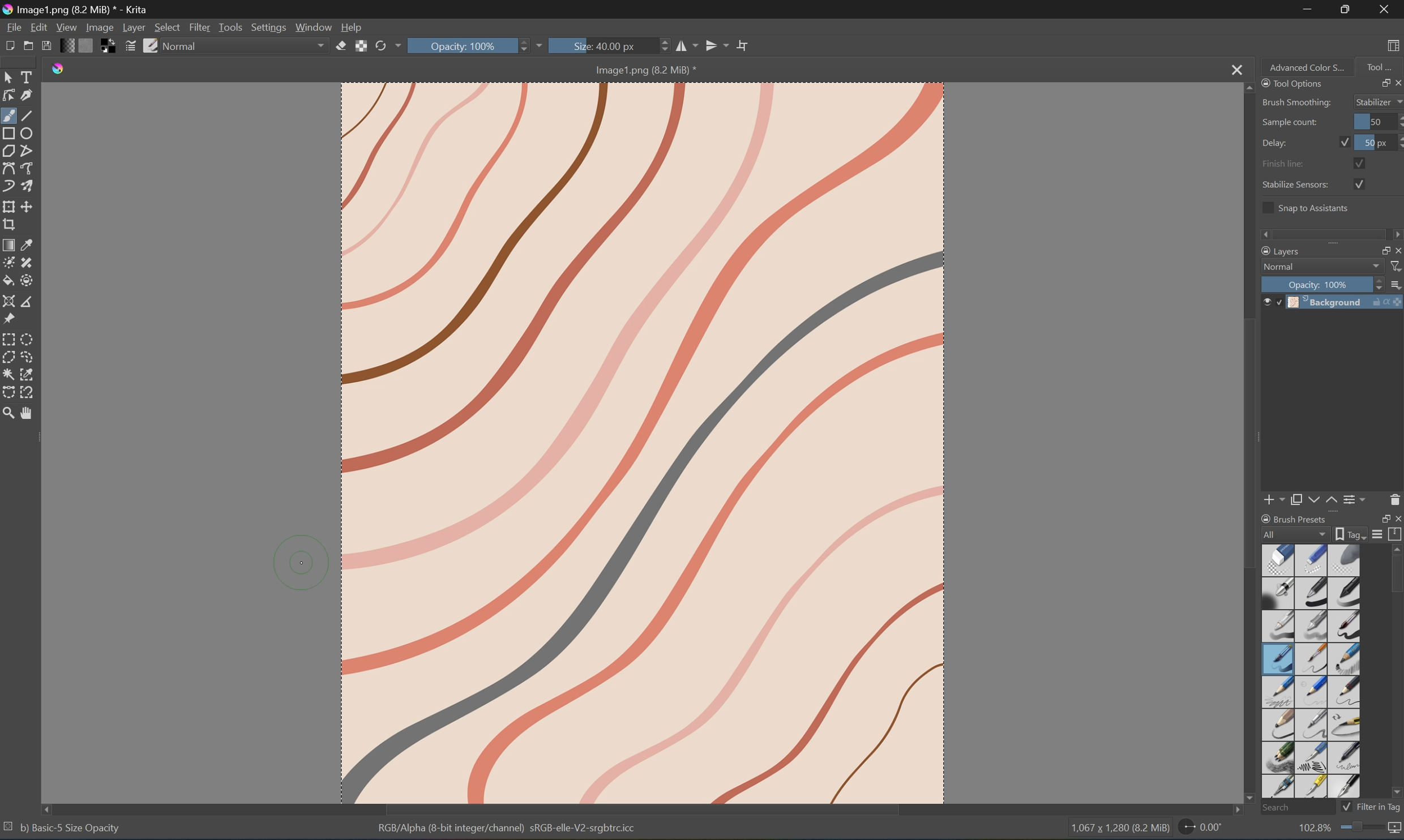 This screenshot has height=840, width=1404. What do you see at coordinates (11, 390) in the screenshot?
I see `Bezier curve selection tool` at bounding box center [11, 390].